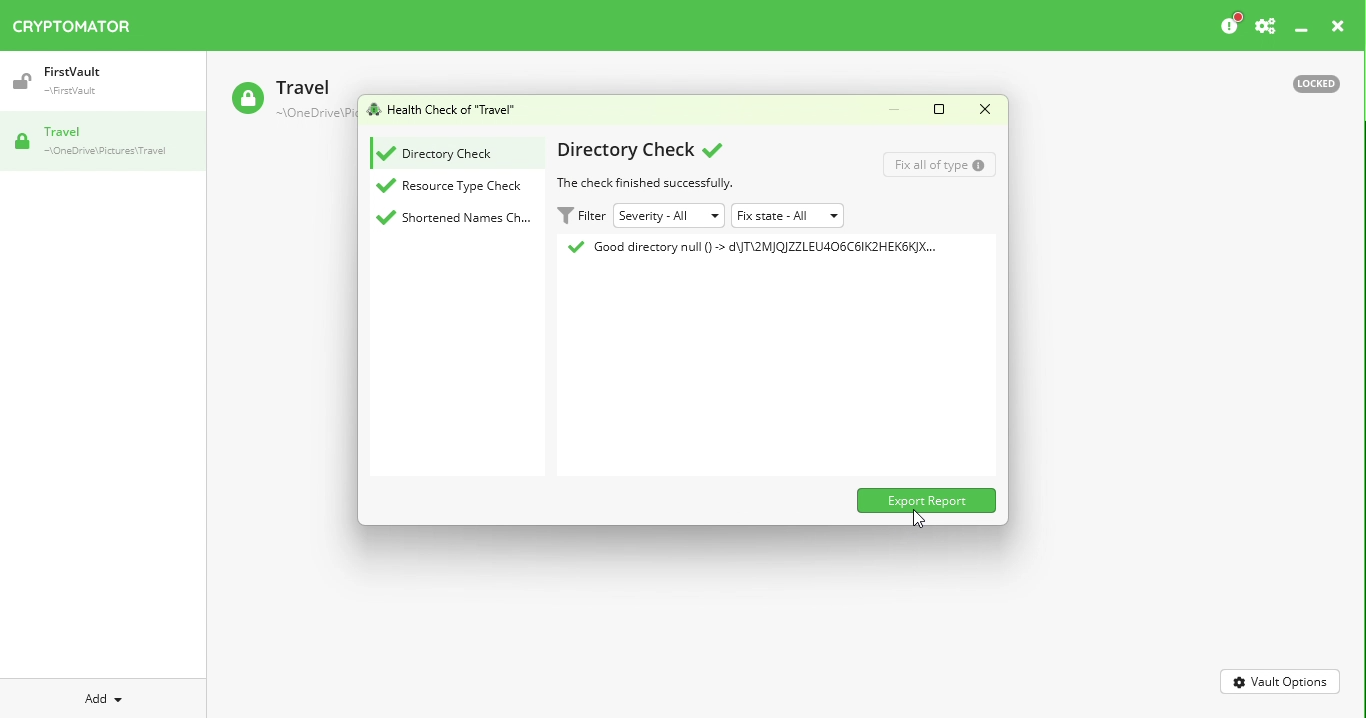 This screenshot has height=718, width=1366. What do you see at coordinates (579, 216) in the screenshot?
I see `Filter` at bounding box center [579, 216].